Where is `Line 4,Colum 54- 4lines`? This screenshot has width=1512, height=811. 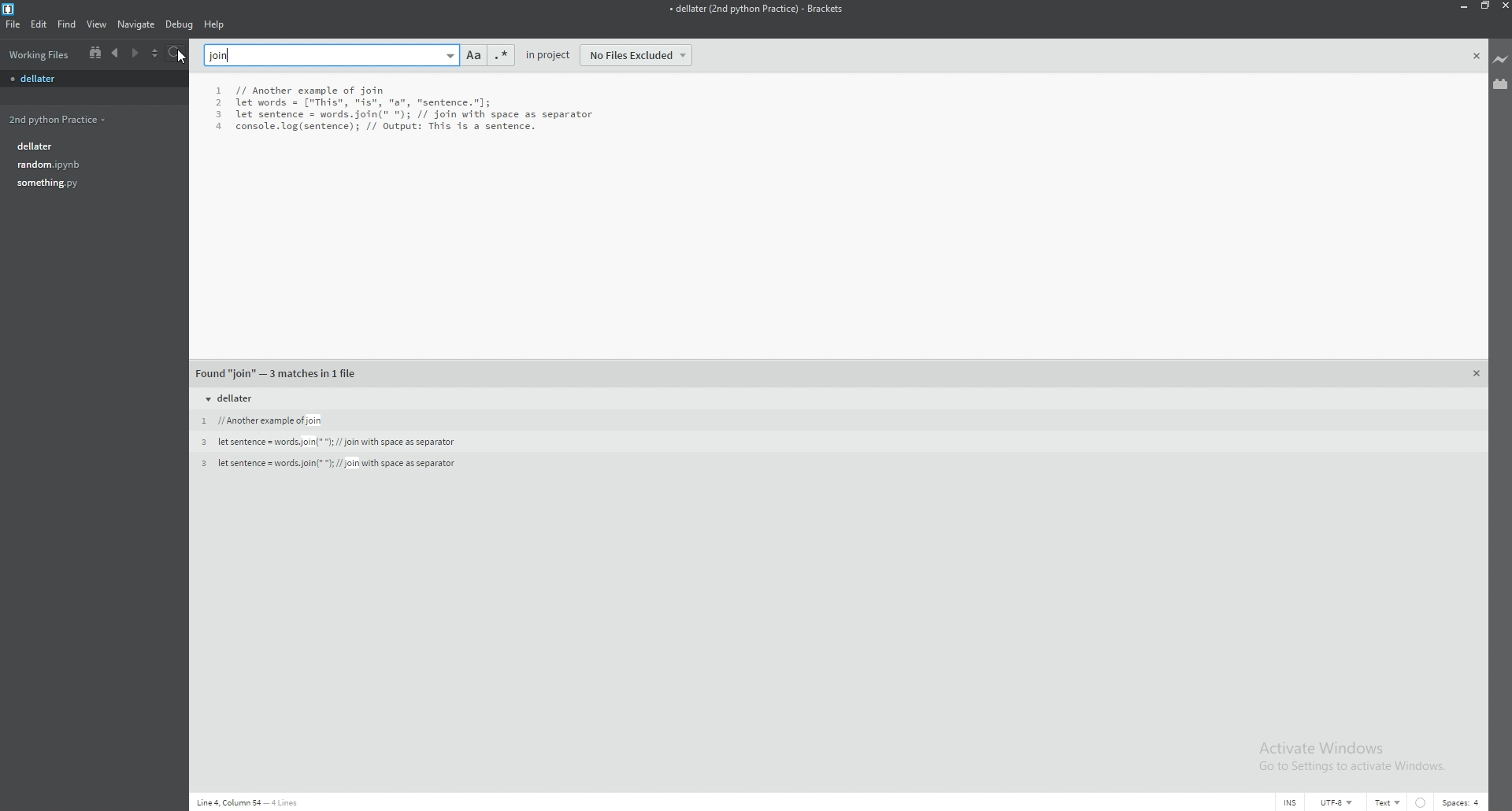
Line 4,Colum 54- 4lines is located at coordinates (254, 799).